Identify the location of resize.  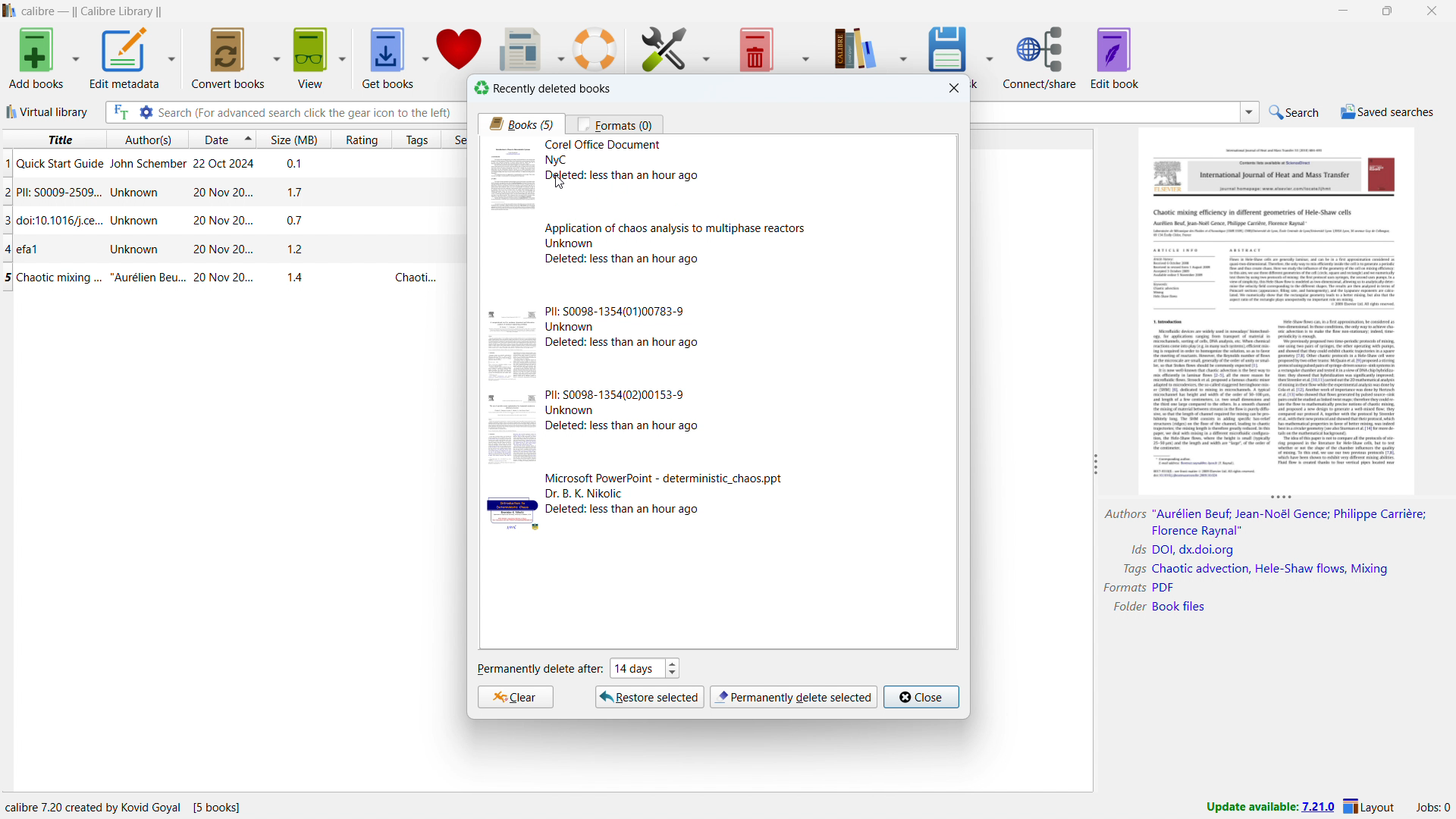
(1282, 498).